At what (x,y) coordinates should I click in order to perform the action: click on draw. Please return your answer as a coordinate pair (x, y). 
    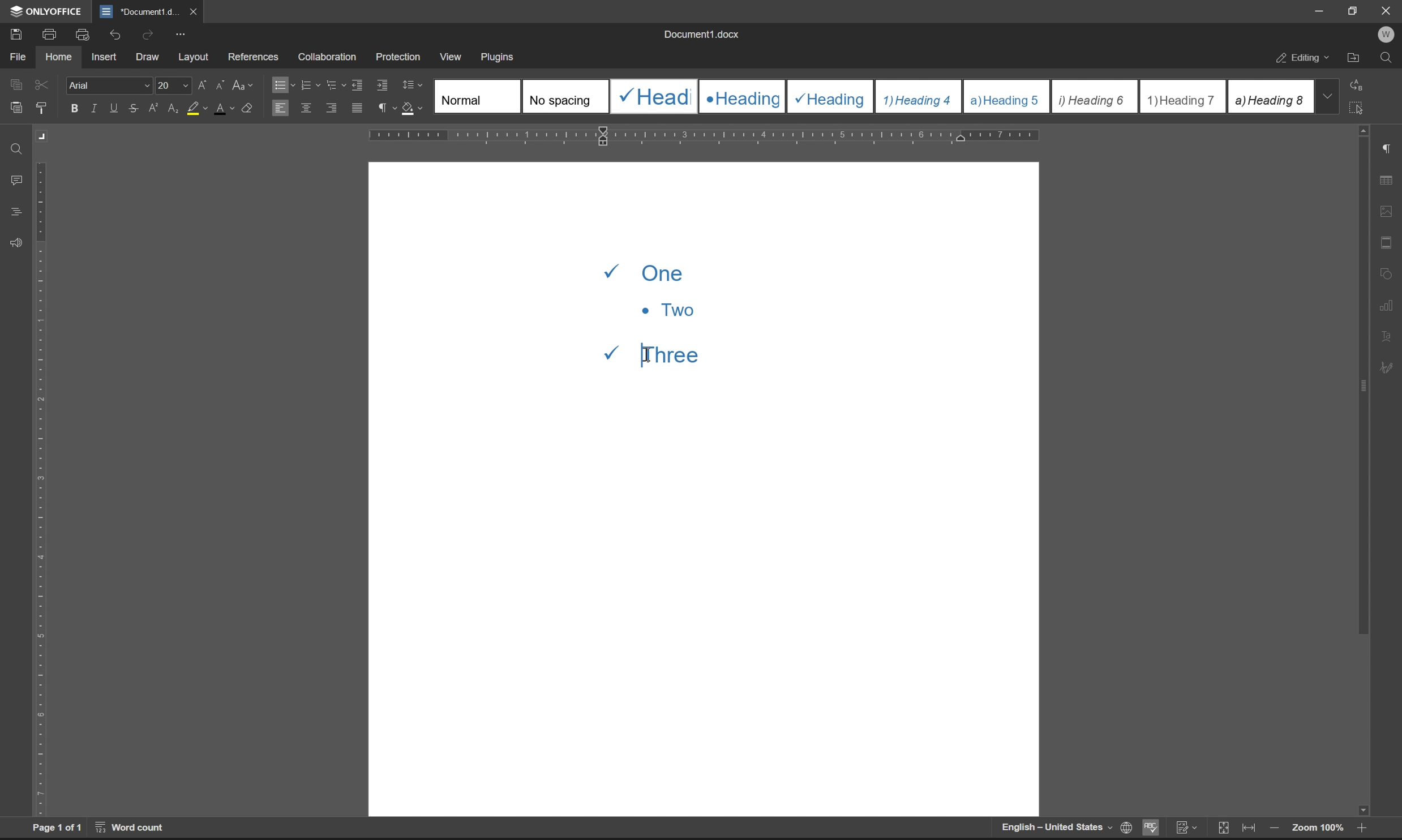
    Looking at the image, I should click on (151, 58).